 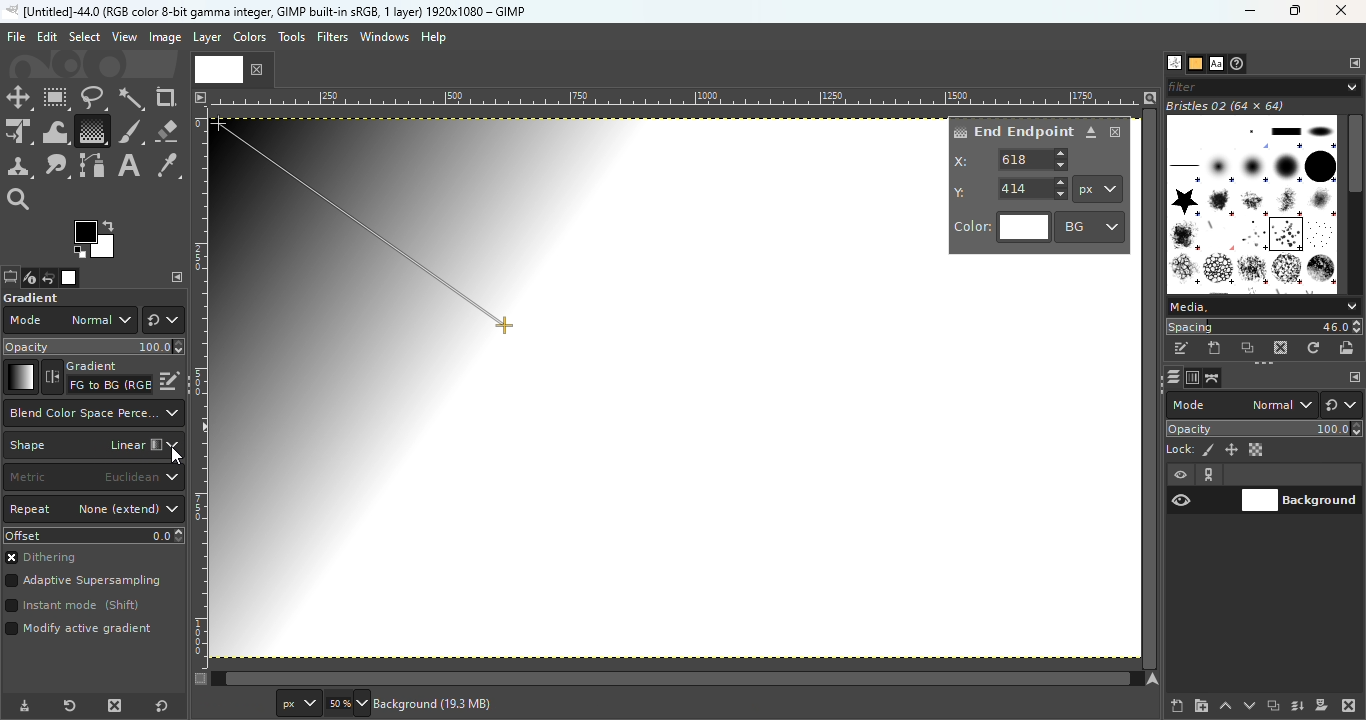 What do you see at coordinates (1155, 679) in the screenshot?
I see `Navigate` at bounding box center [1155, 679].